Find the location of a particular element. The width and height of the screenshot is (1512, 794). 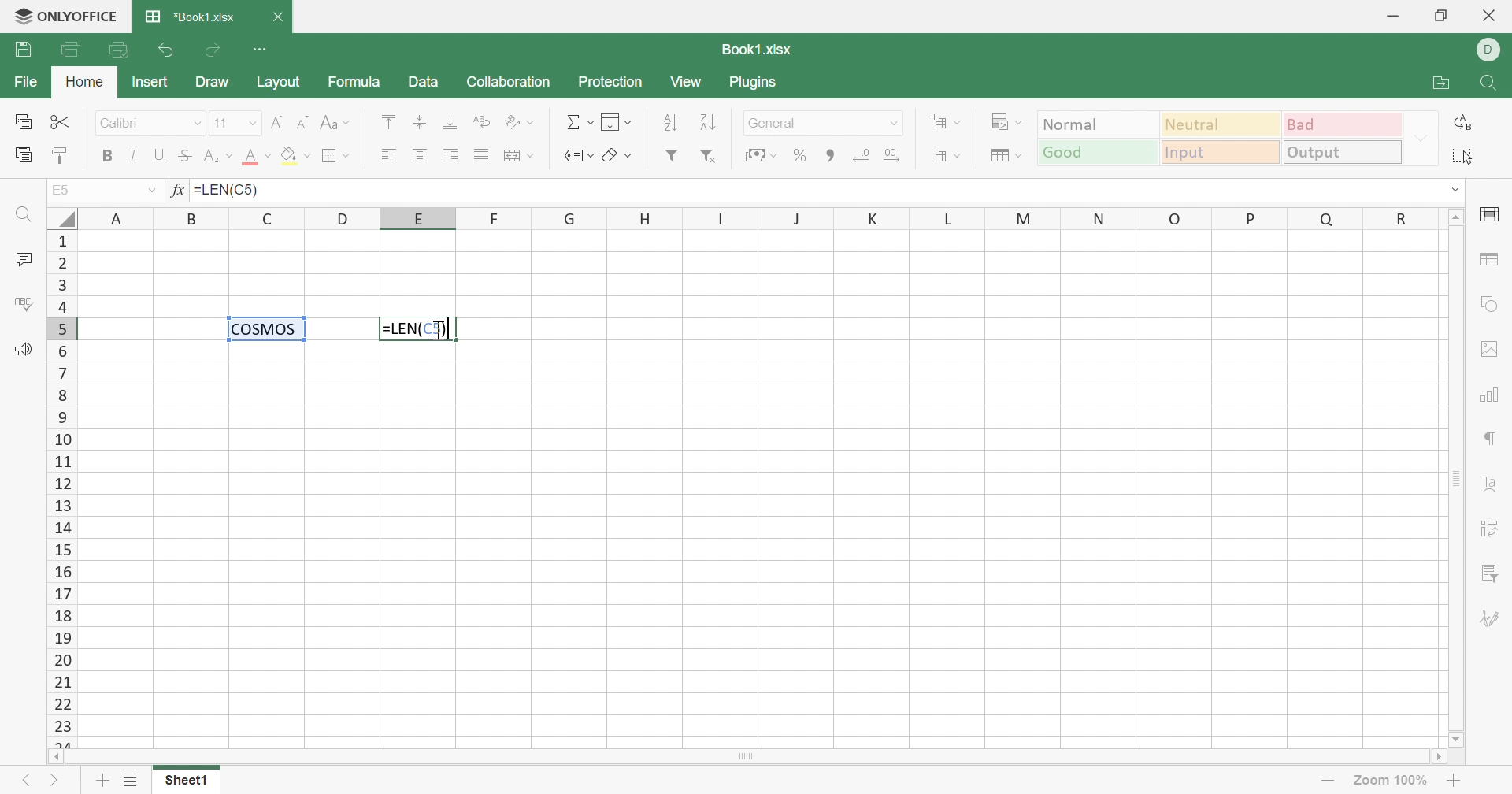

Zoom 100% is located at coordinates (1392, 781).